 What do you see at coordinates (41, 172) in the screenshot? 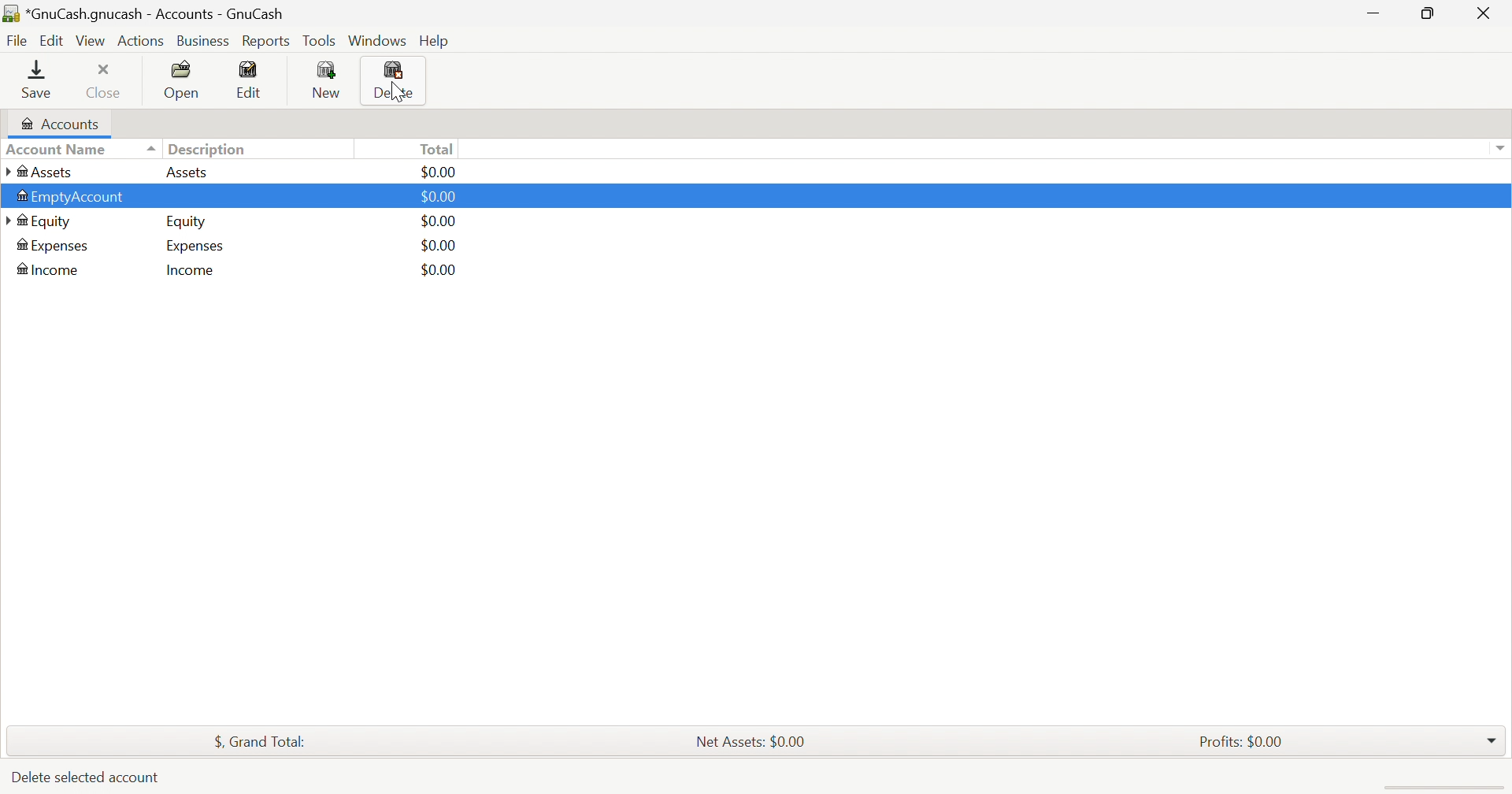
I see `Assets` at bounding box center [41, 172].